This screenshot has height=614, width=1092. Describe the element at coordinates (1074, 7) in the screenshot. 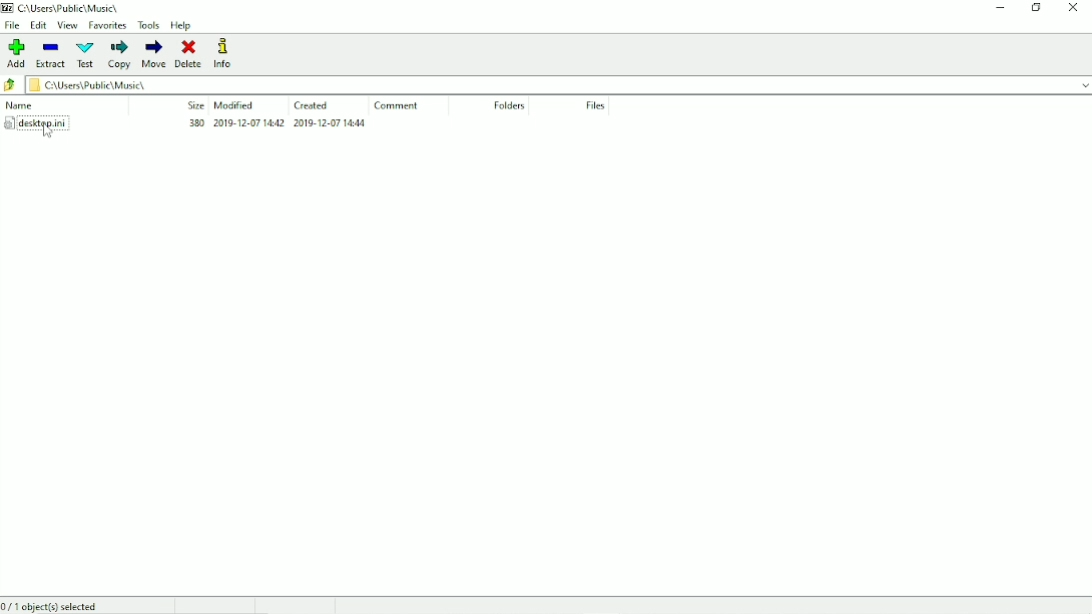

I see `Close` at that location.